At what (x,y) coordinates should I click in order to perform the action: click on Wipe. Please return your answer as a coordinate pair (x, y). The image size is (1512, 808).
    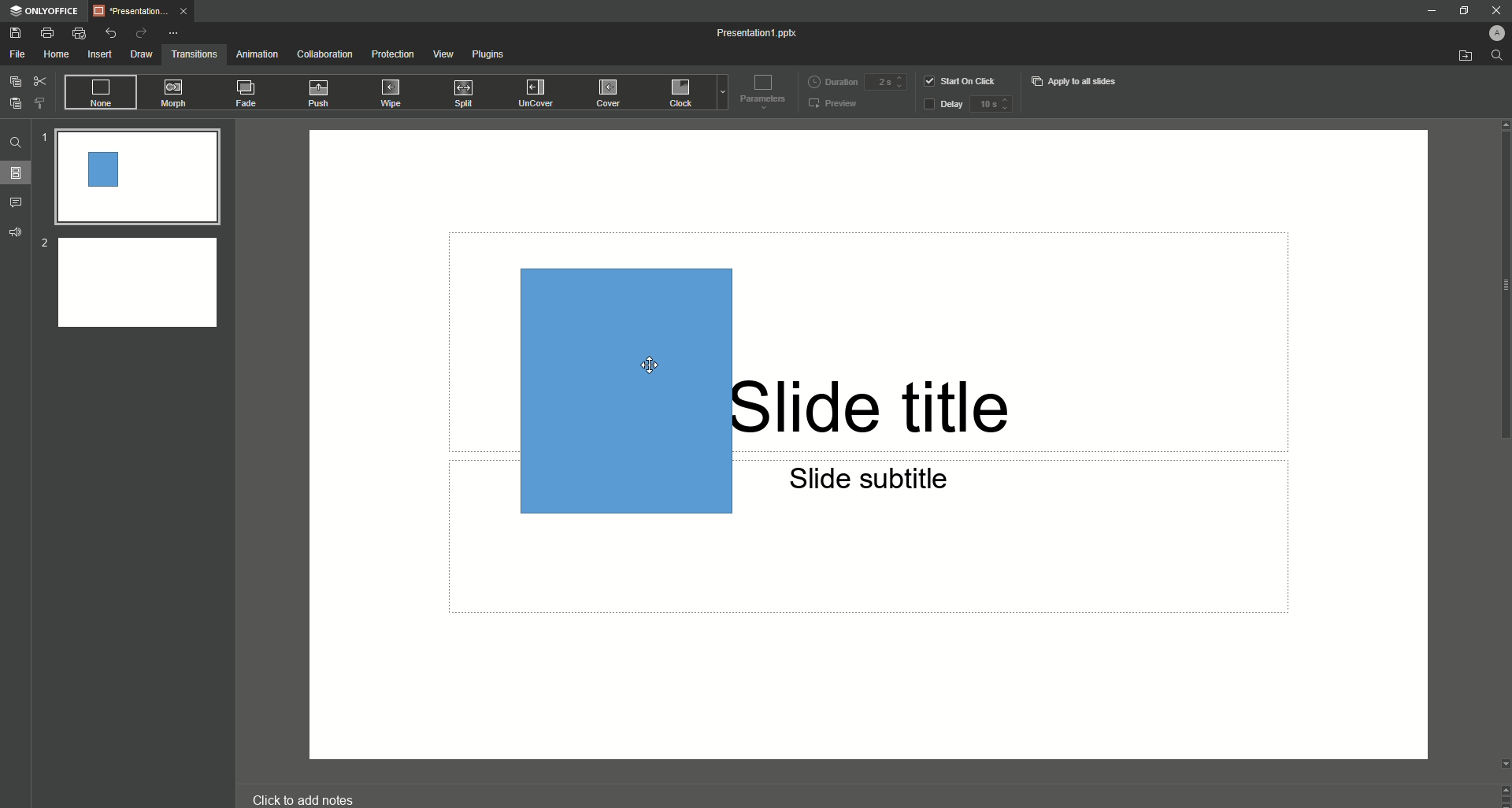
    Looking at the image, I should click on (387, 93).